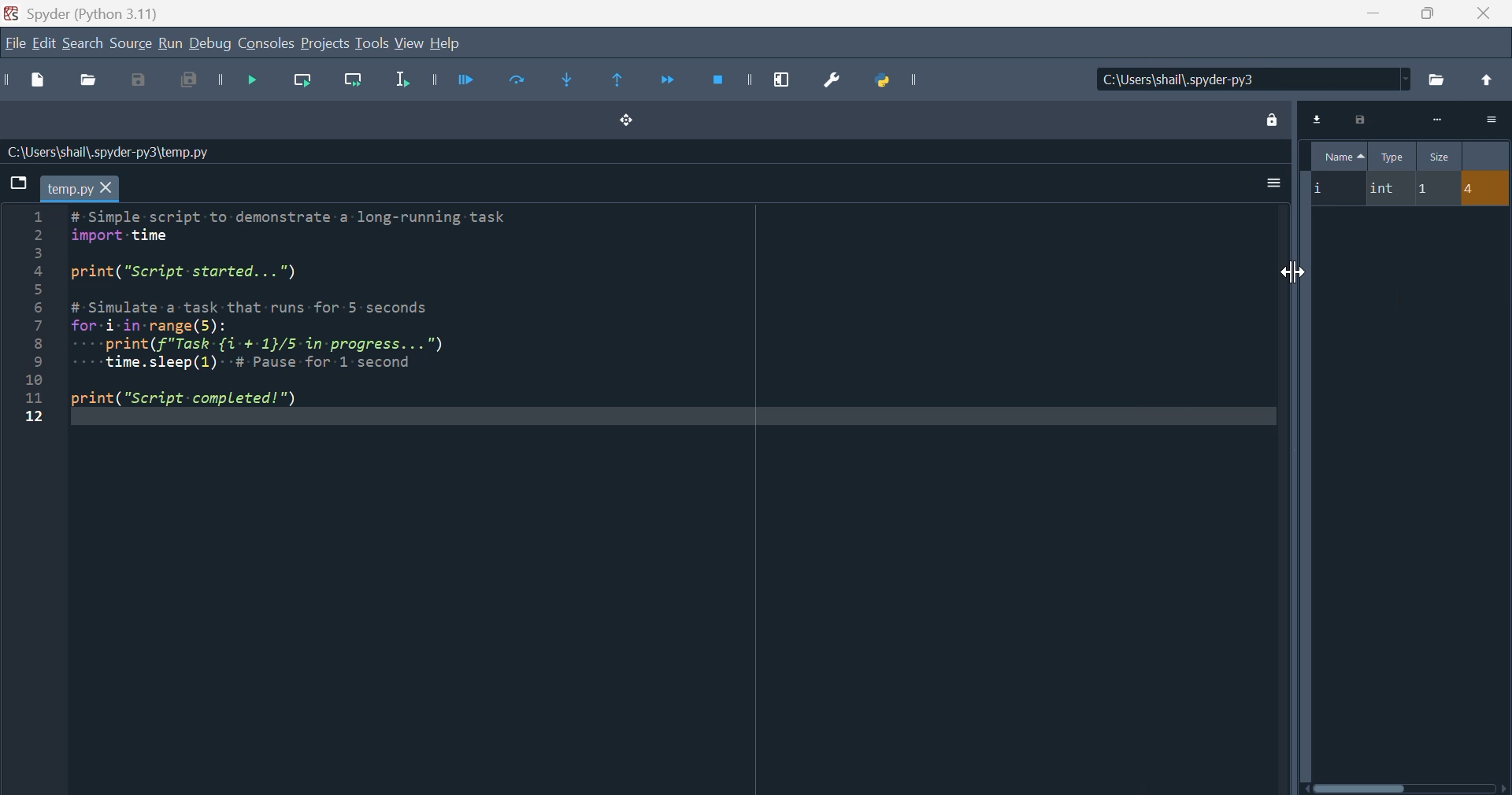  Describe the element at coordinates (1386, 189) in the screenshot. I see `int` at that location.